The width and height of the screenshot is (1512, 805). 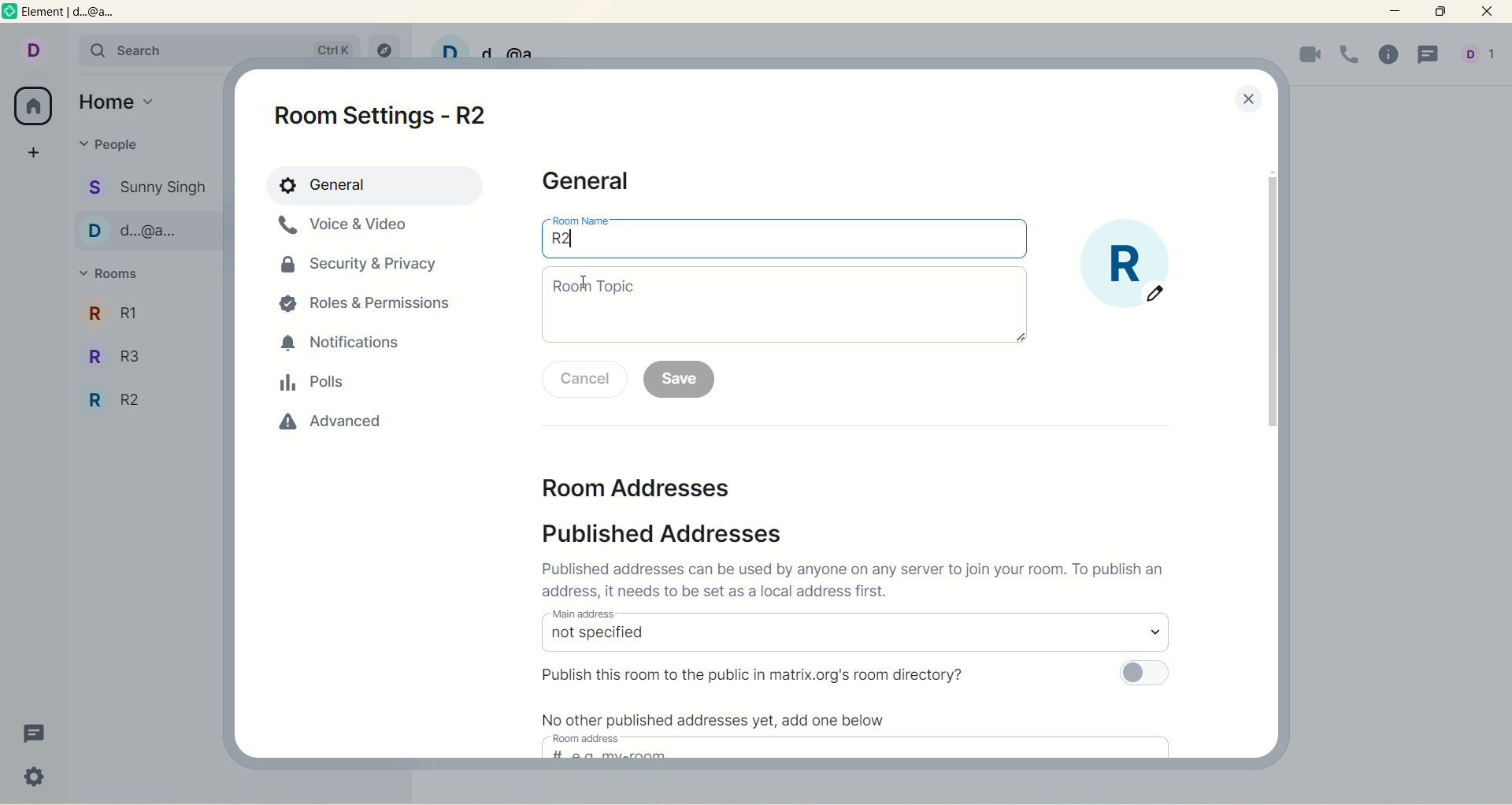 What do you see at coordinates (1308, 56) in the screenshot?
I see `video call` at bounding box center [1308, 56].